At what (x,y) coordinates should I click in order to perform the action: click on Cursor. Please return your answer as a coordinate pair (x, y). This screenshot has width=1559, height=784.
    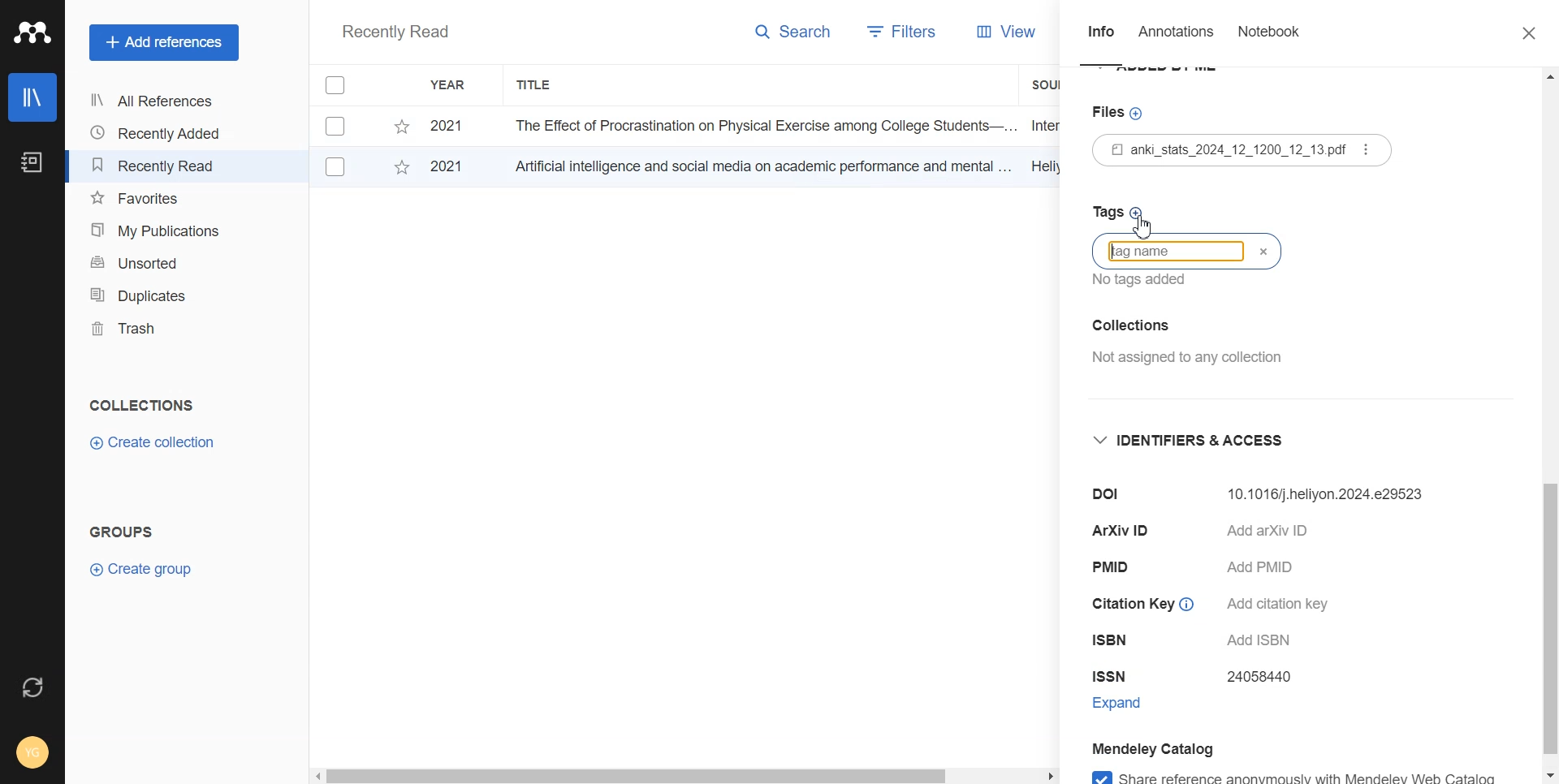
    Looking at the image, I should click on (1144, 223).